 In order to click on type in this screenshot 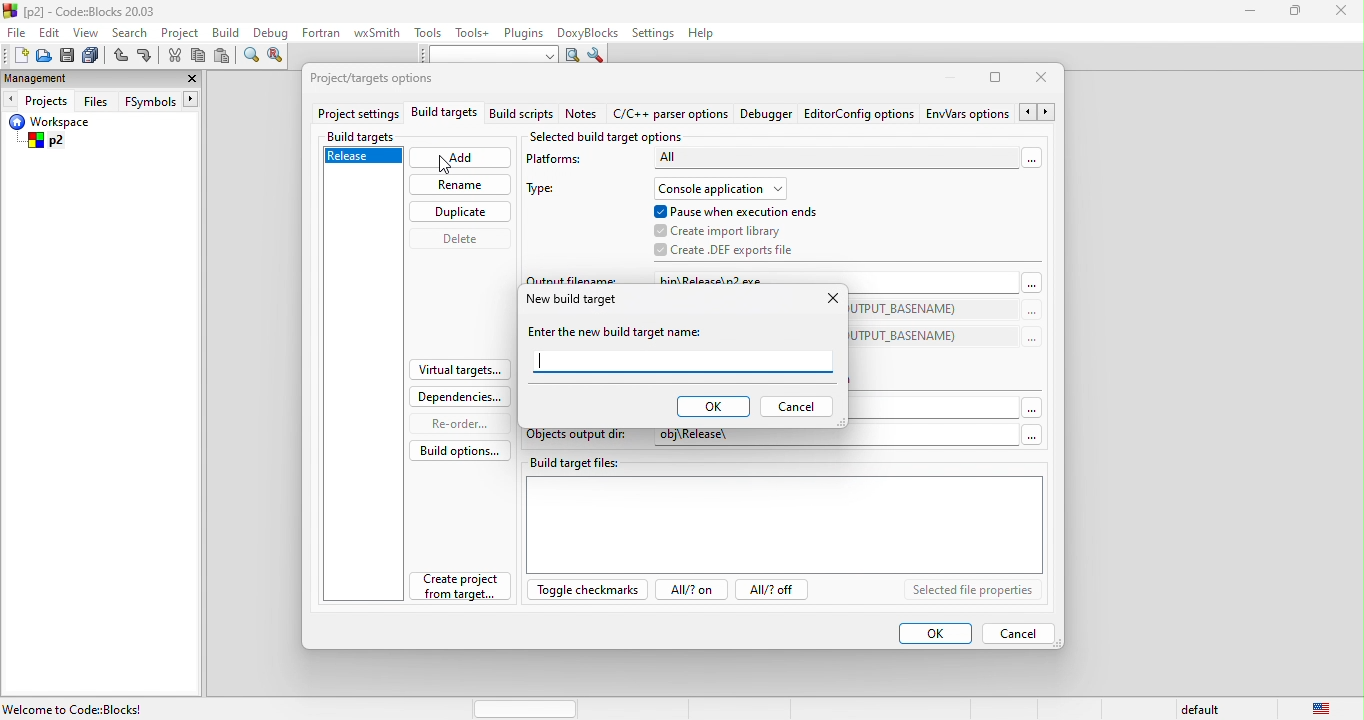, I will do `click(550, 190)`.